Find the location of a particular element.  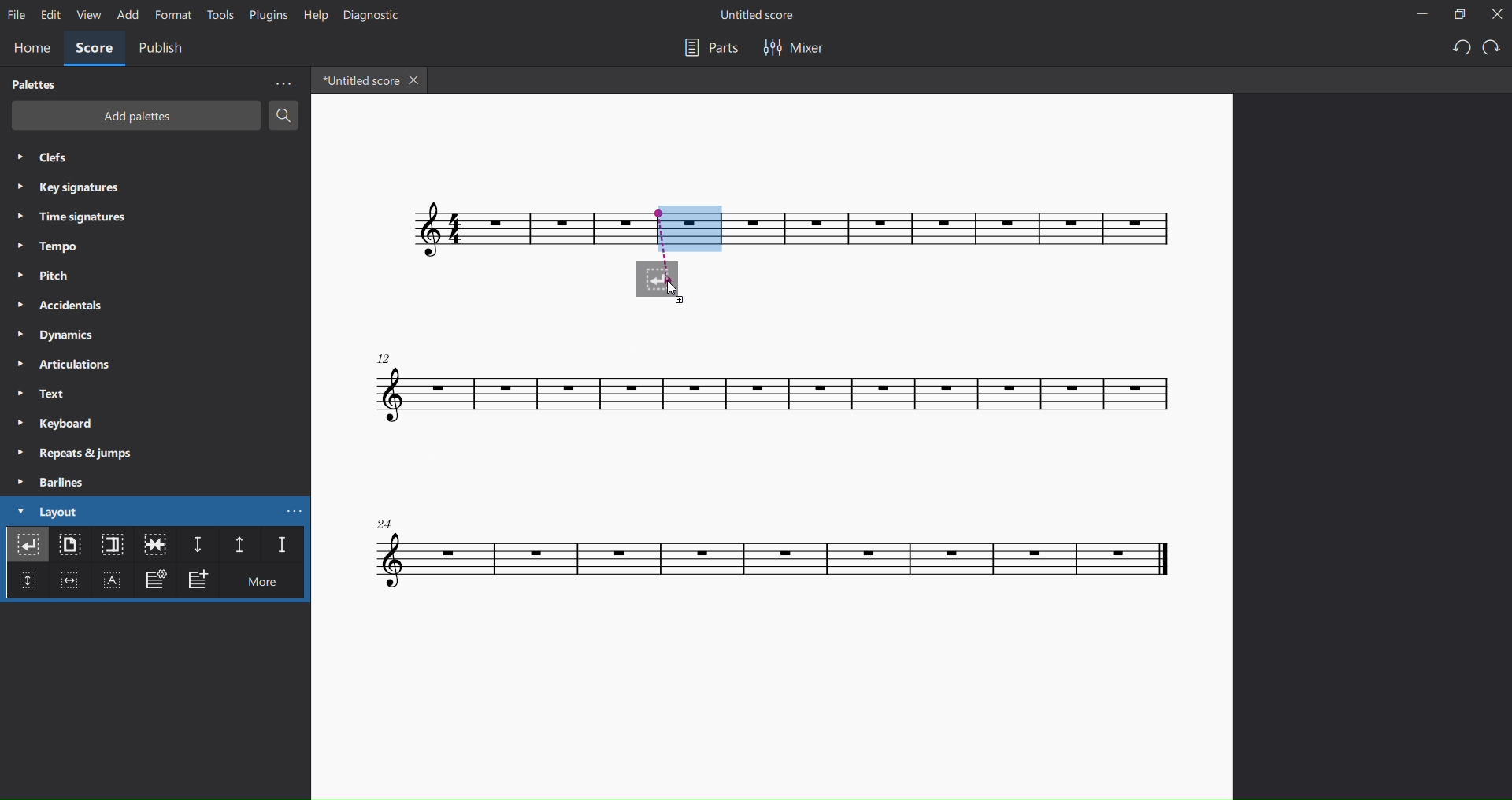

minimize is located at coordinates (1414, 15).